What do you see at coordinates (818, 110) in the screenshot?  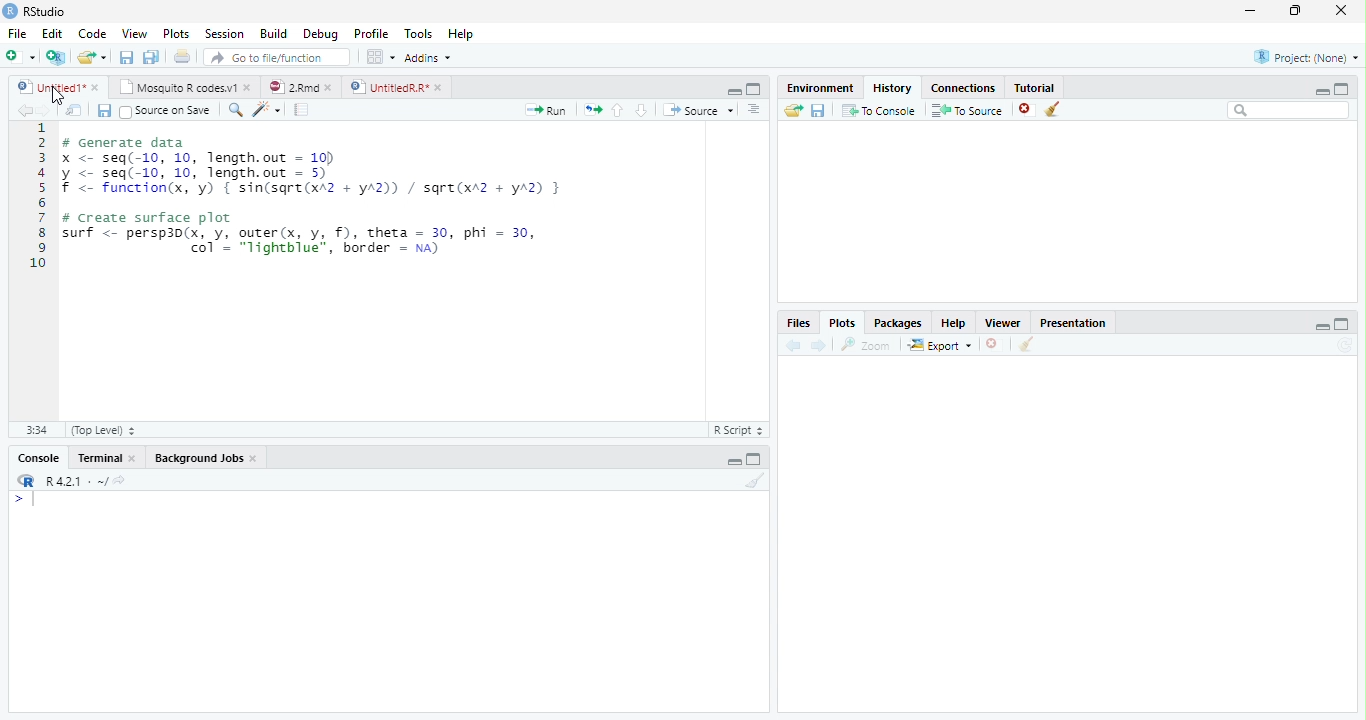 I see `Save history into a file` at bounding box center [818, 110].